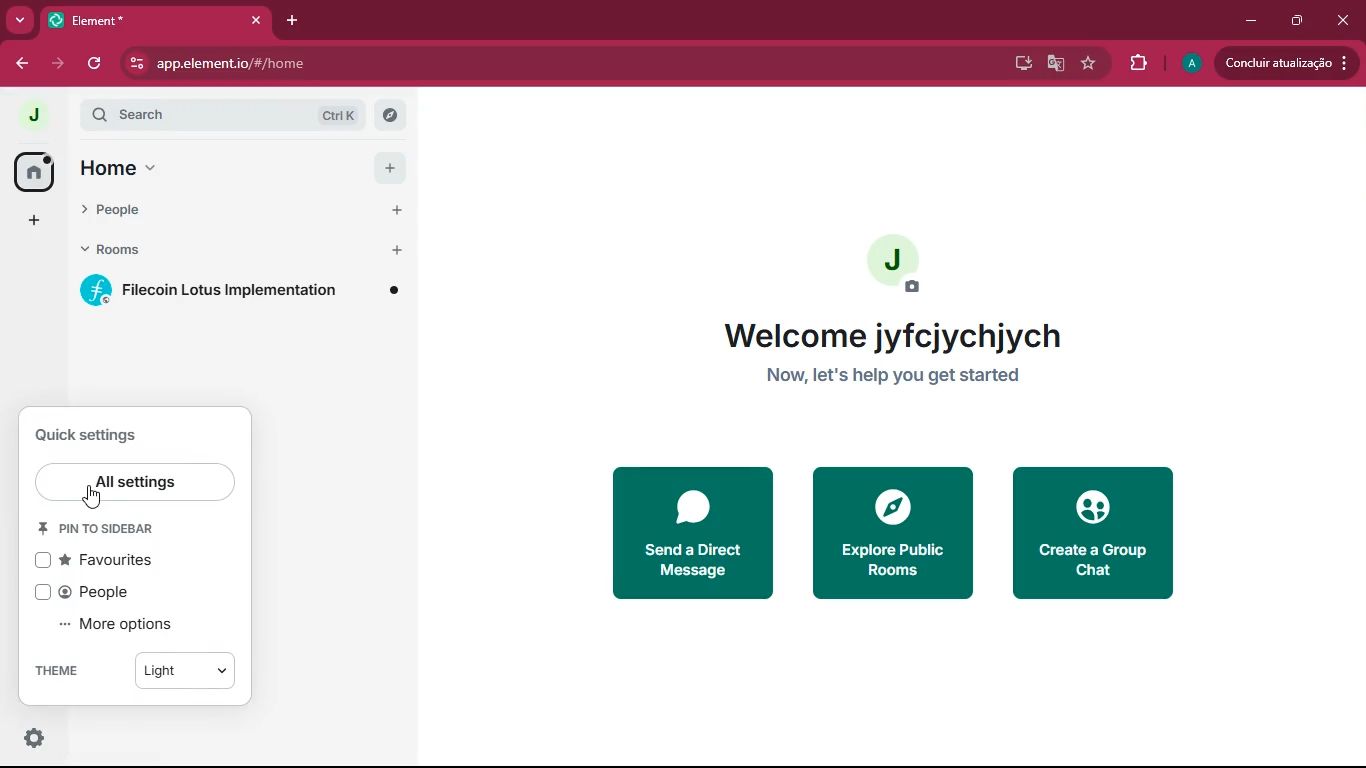 Image resolution: width=1366 pixels, height=768 pixels. What do you see at coordinates (688, 534) in the screenshot?
I see `send a direct message` at bounding box center [688, 534].